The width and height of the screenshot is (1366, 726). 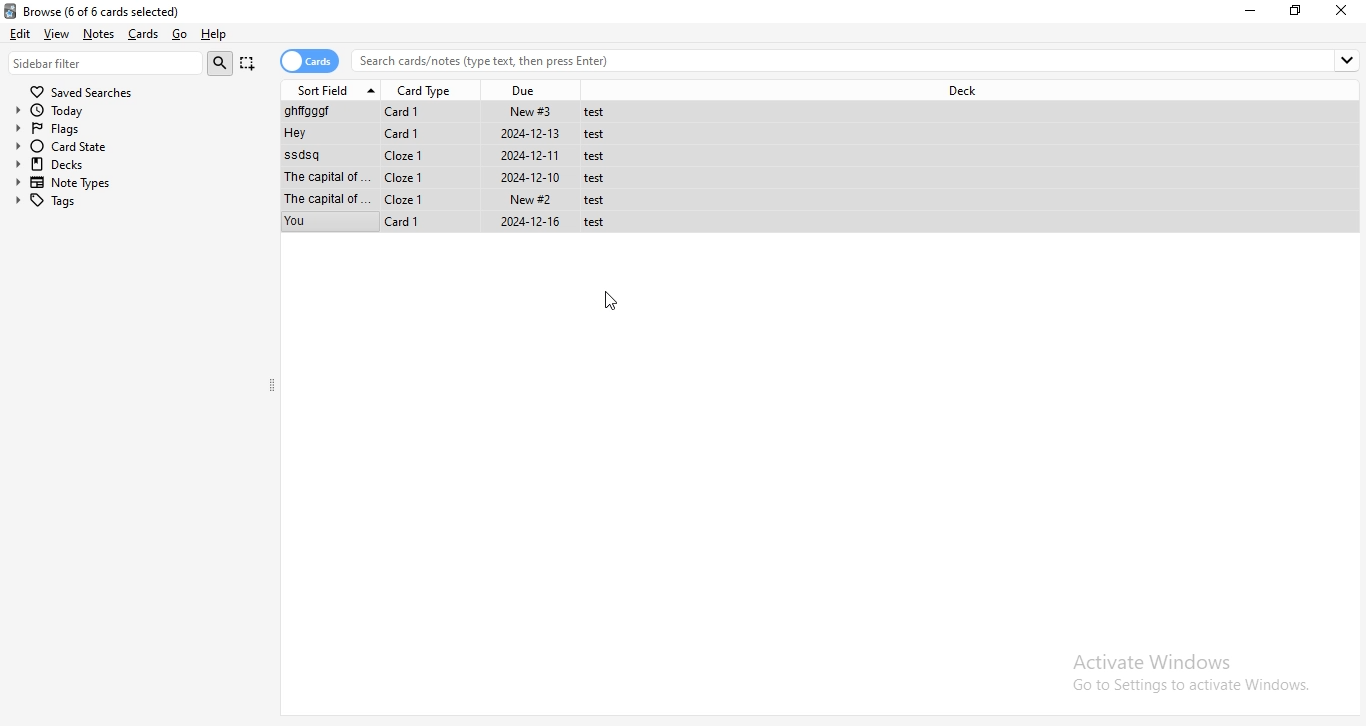 I want to click on card type, so click(x=428, y=89).